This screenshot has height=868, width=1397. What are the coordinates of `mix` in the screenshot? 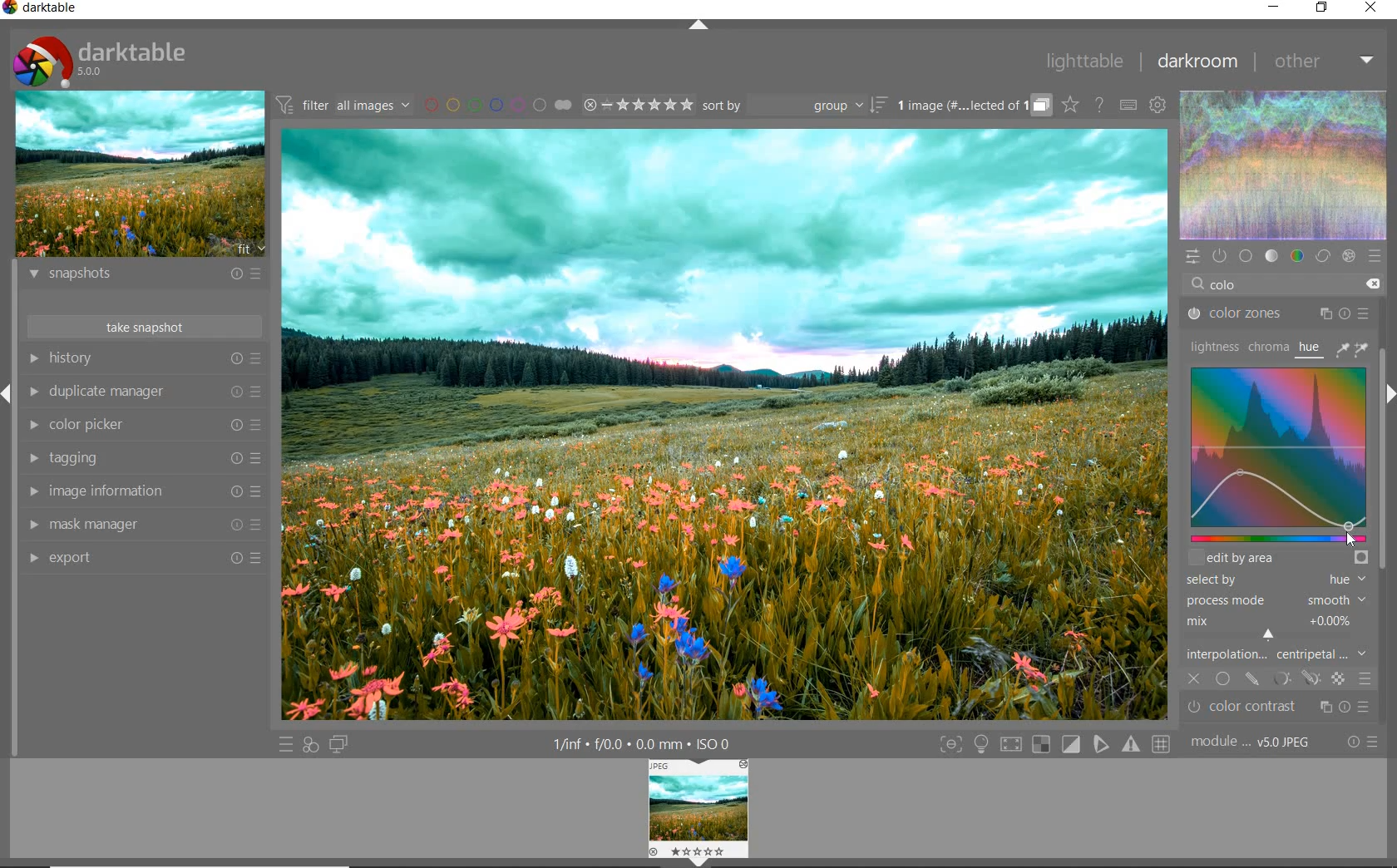 It's located at (1279, 628).